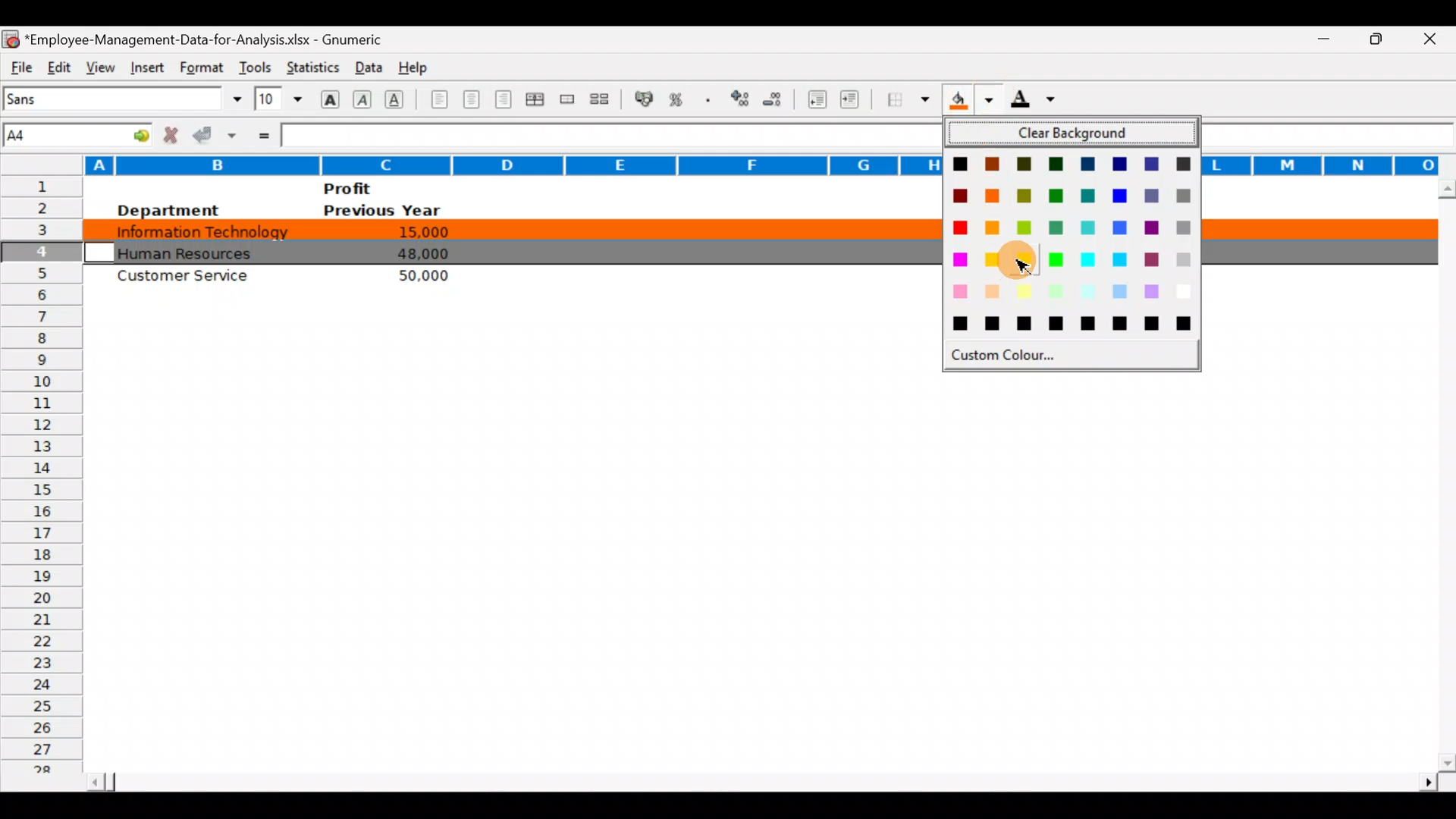  What do you see at coordinates (97, 65) in the screenshot?
I see `View` at bounding box center [97, 65].